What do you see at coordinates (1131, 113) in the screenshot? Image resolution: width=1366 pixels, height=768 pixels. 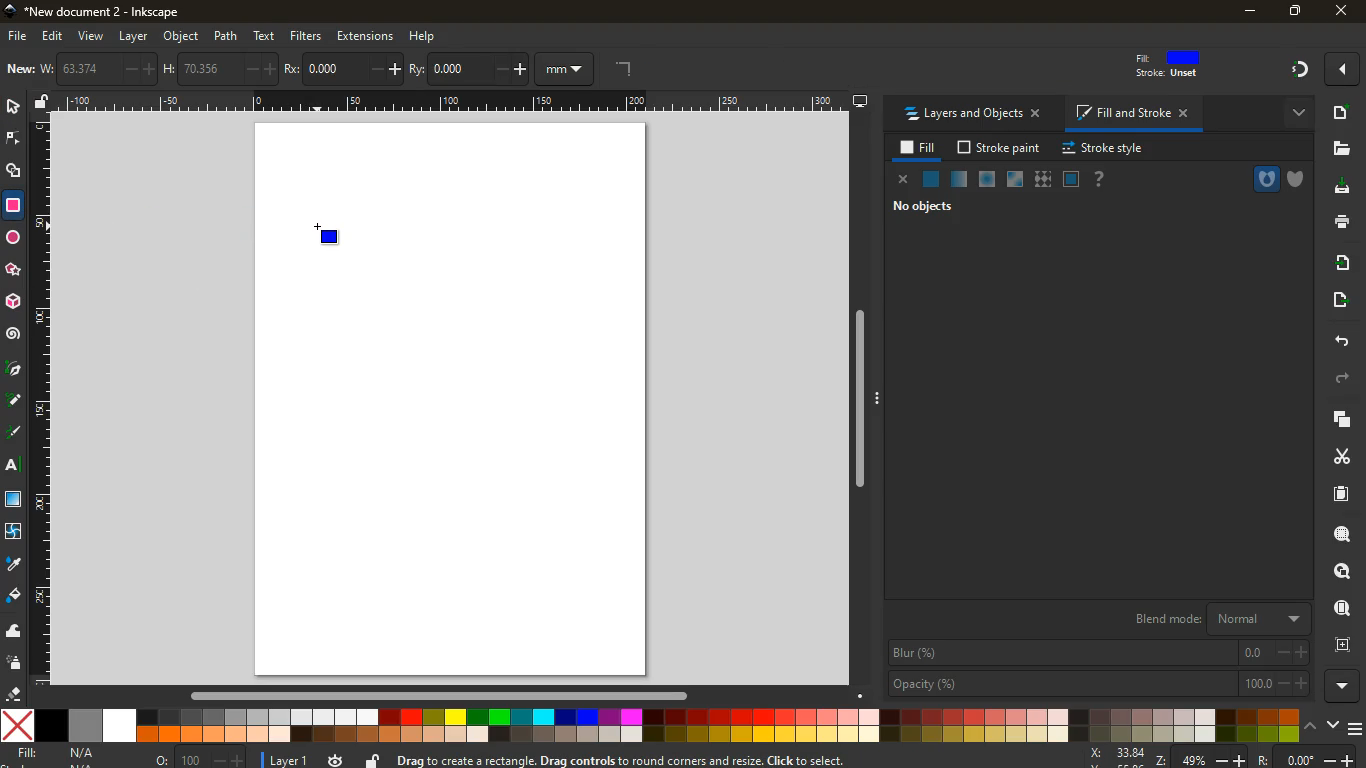 I see `fill and stroke` at bounding box center [1131, 113].